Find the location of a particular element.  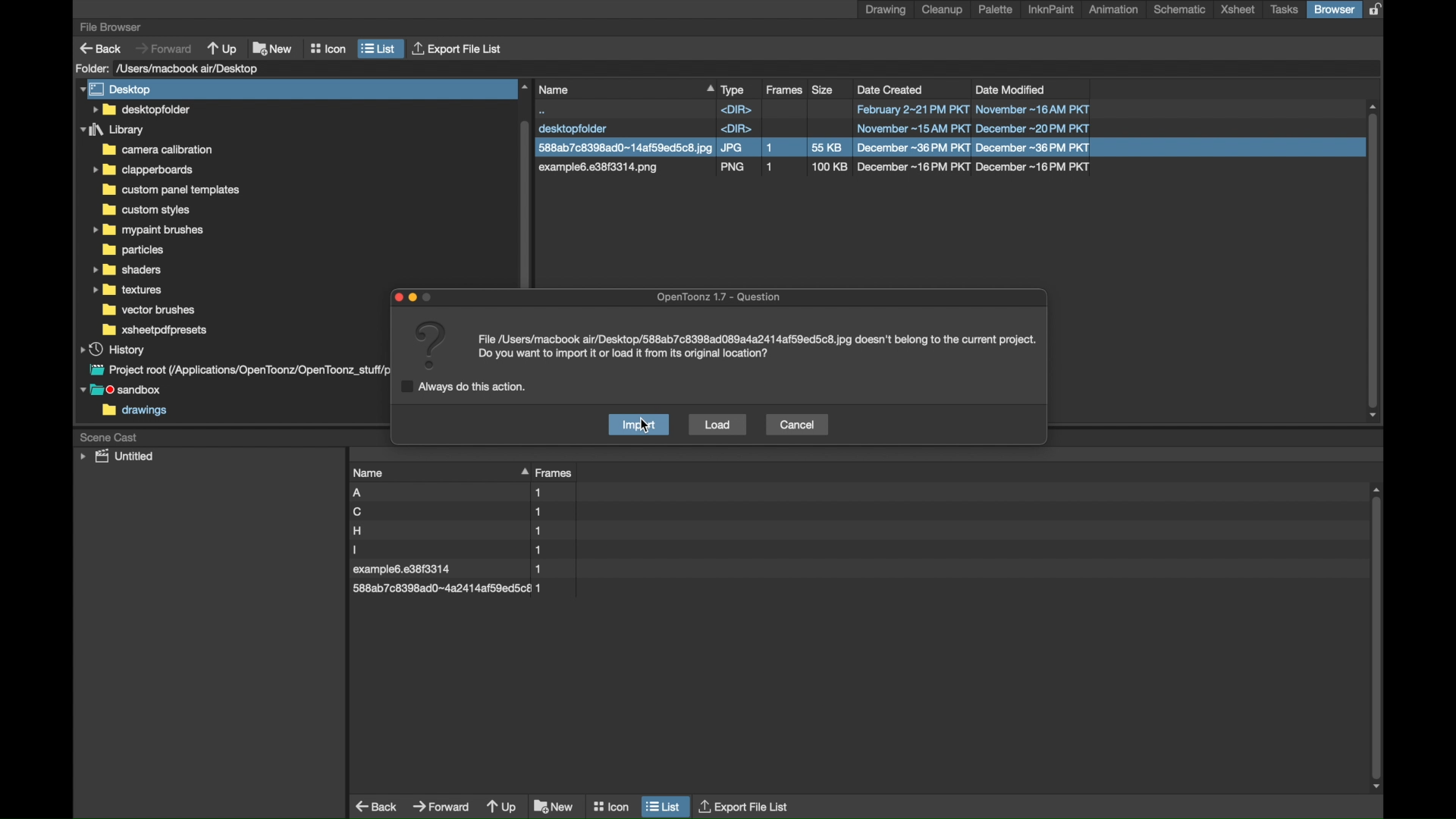

folder is located at coordinates (151, 310).